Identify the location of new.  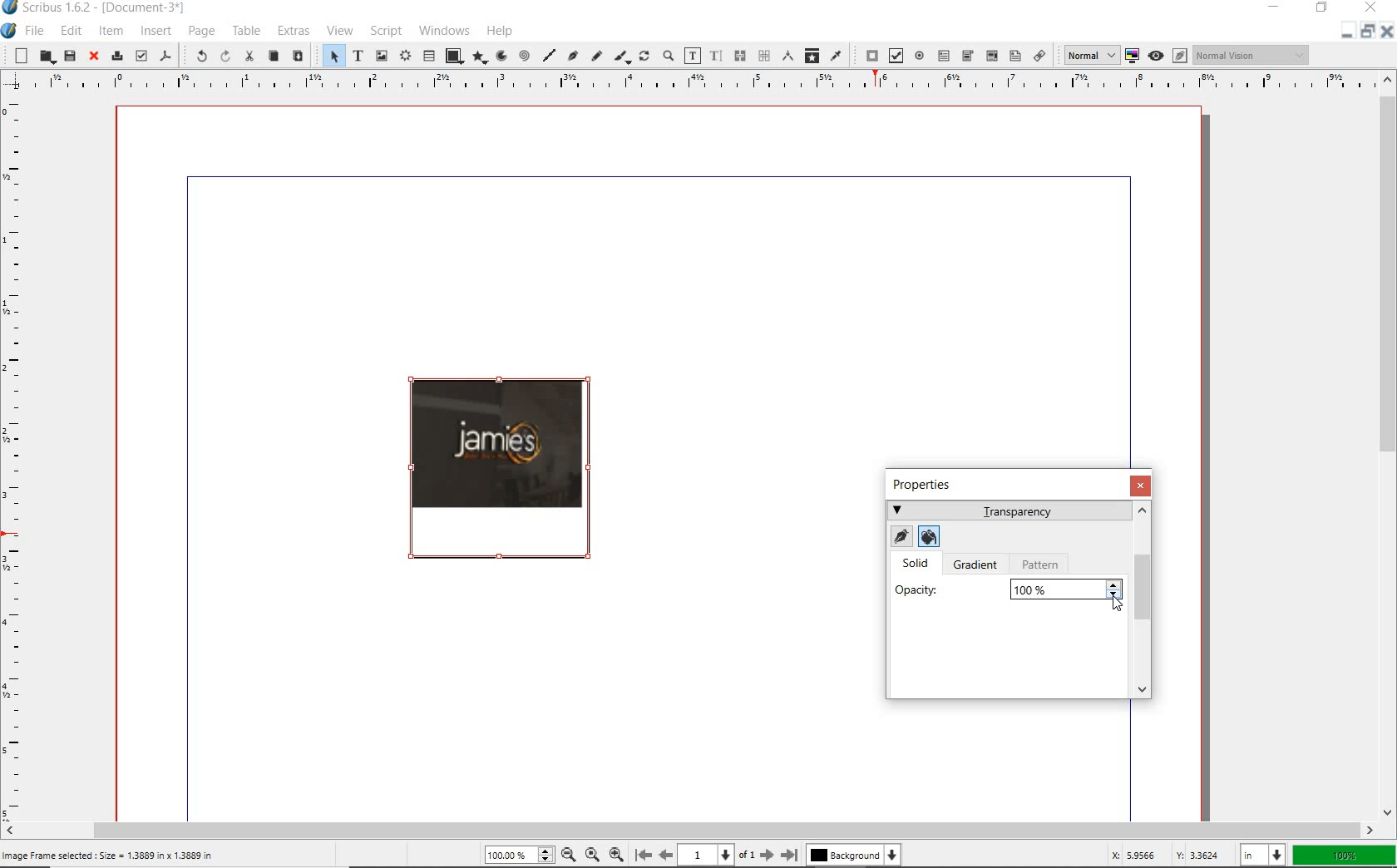
(20, 56).